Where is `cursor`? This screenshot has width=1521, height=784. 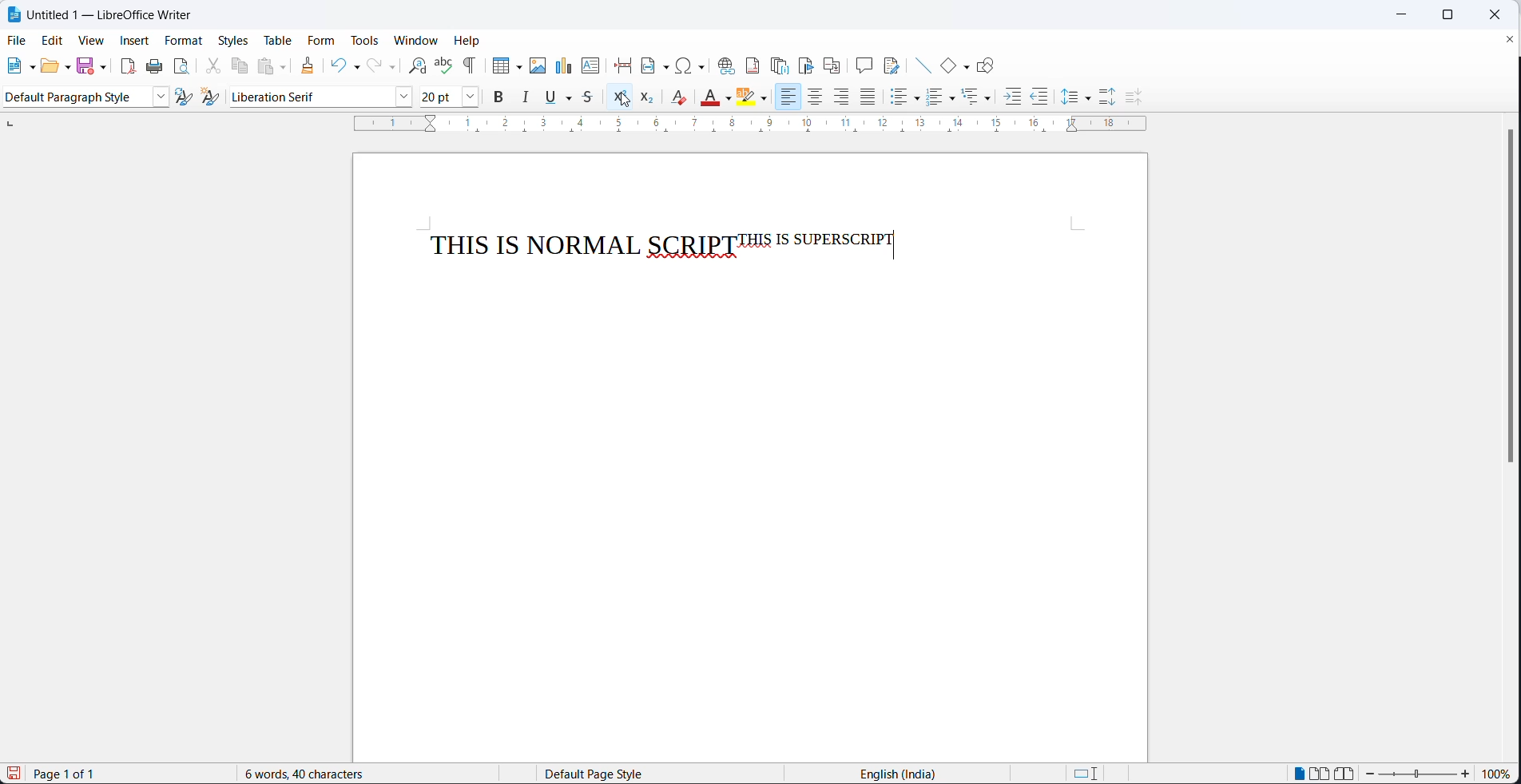 cursor is located at coordinates (624, 101).